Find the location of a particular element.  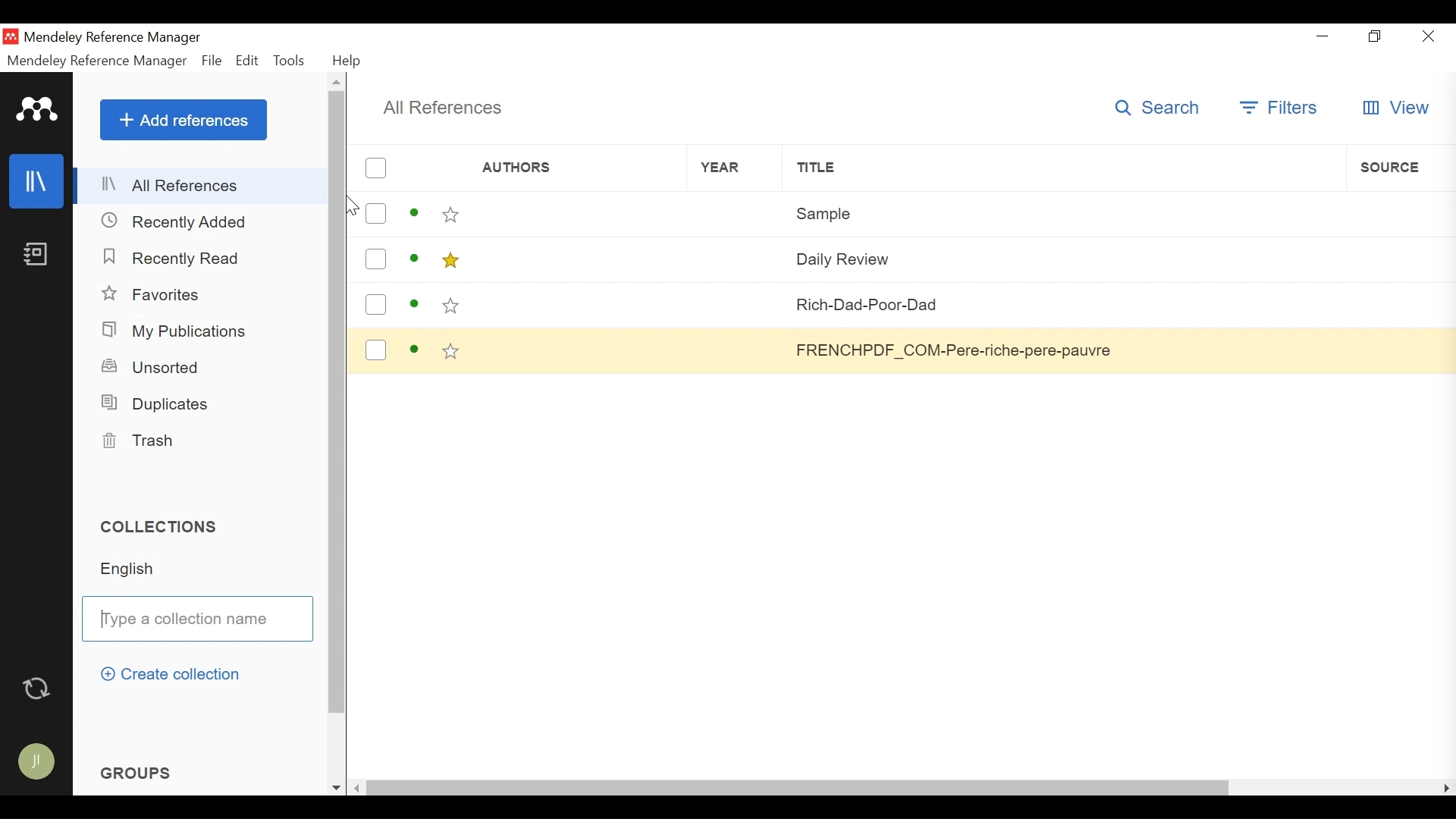

Favorites is located at coordinates (154, 295).